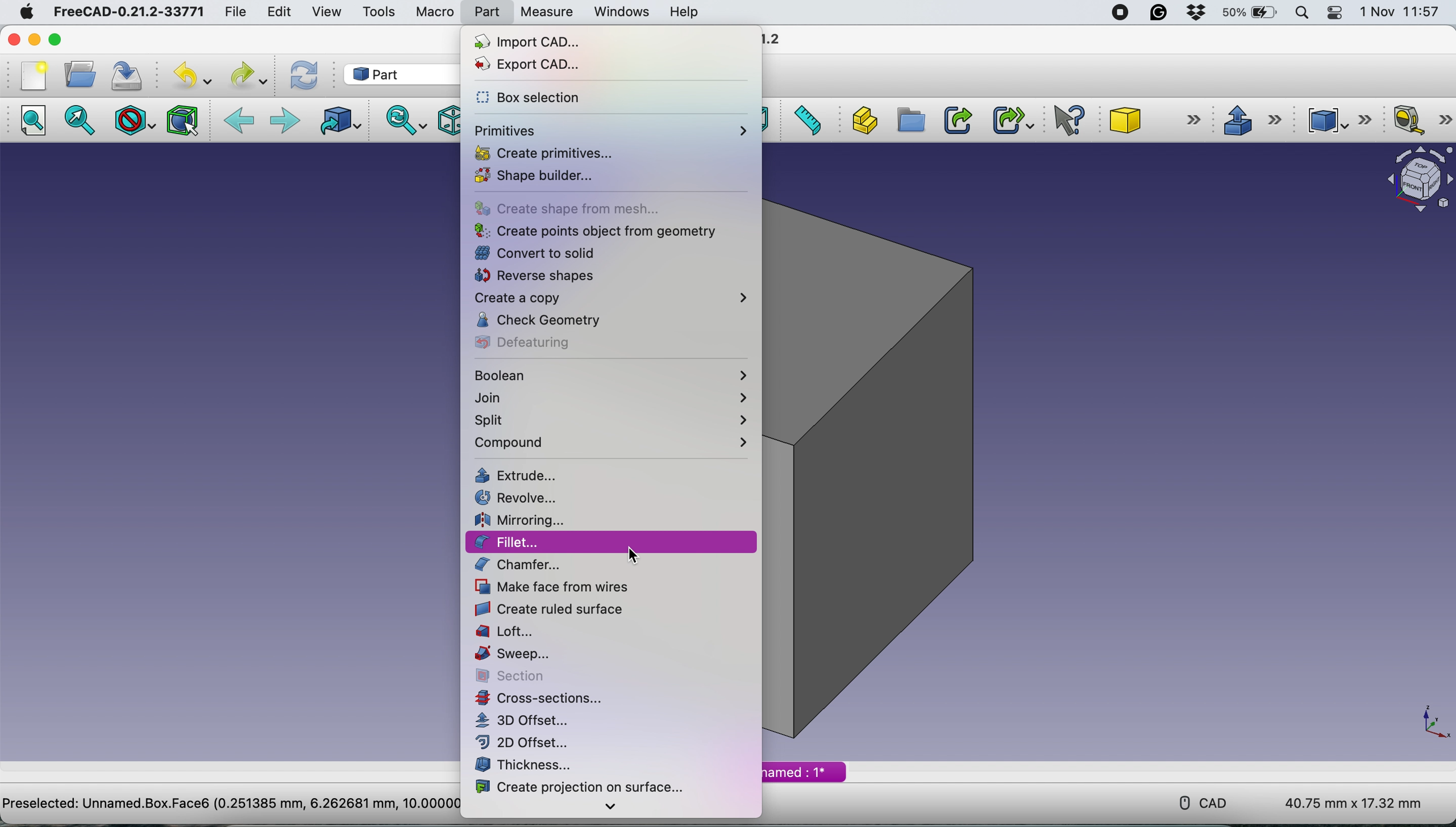 Image resolution: width=1456 pixels, height=827 pixels. Describe the element at coordinates (806, 120) in the screenshot. I see `measure distance` at that location.